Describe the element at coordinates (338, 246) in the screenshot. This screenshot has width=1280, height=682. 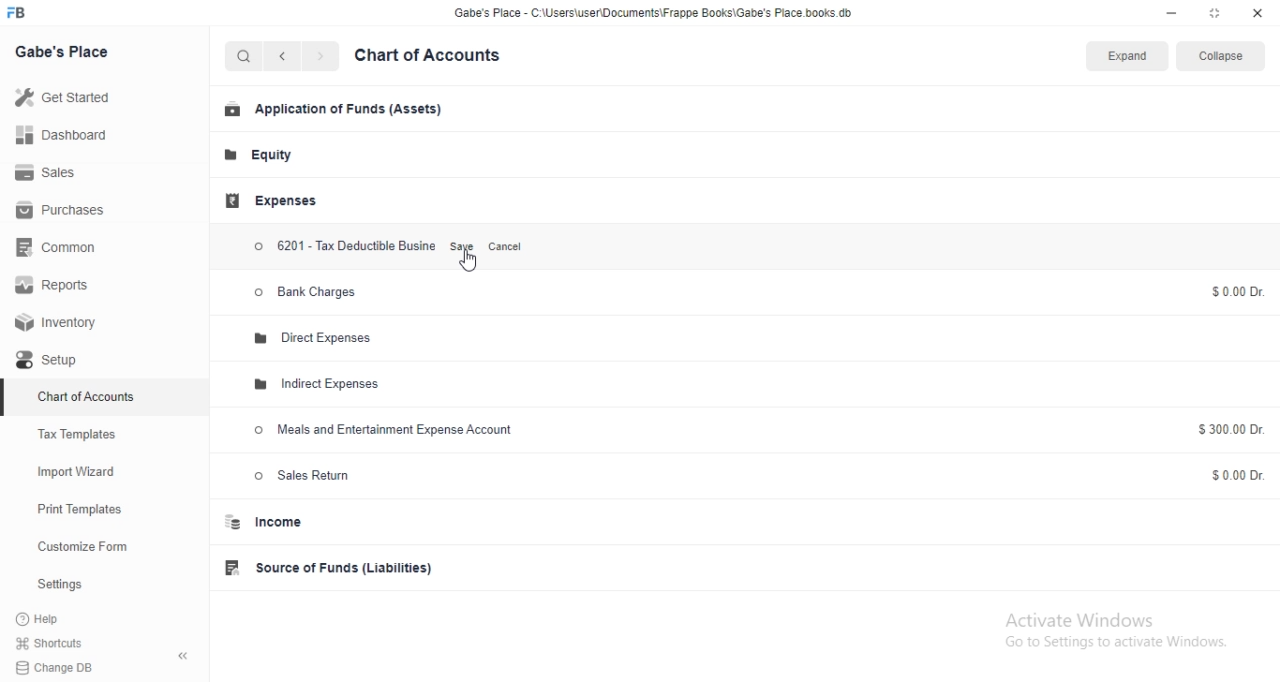
I see `6201 - Tax Deductible Business Expenses` at that location.